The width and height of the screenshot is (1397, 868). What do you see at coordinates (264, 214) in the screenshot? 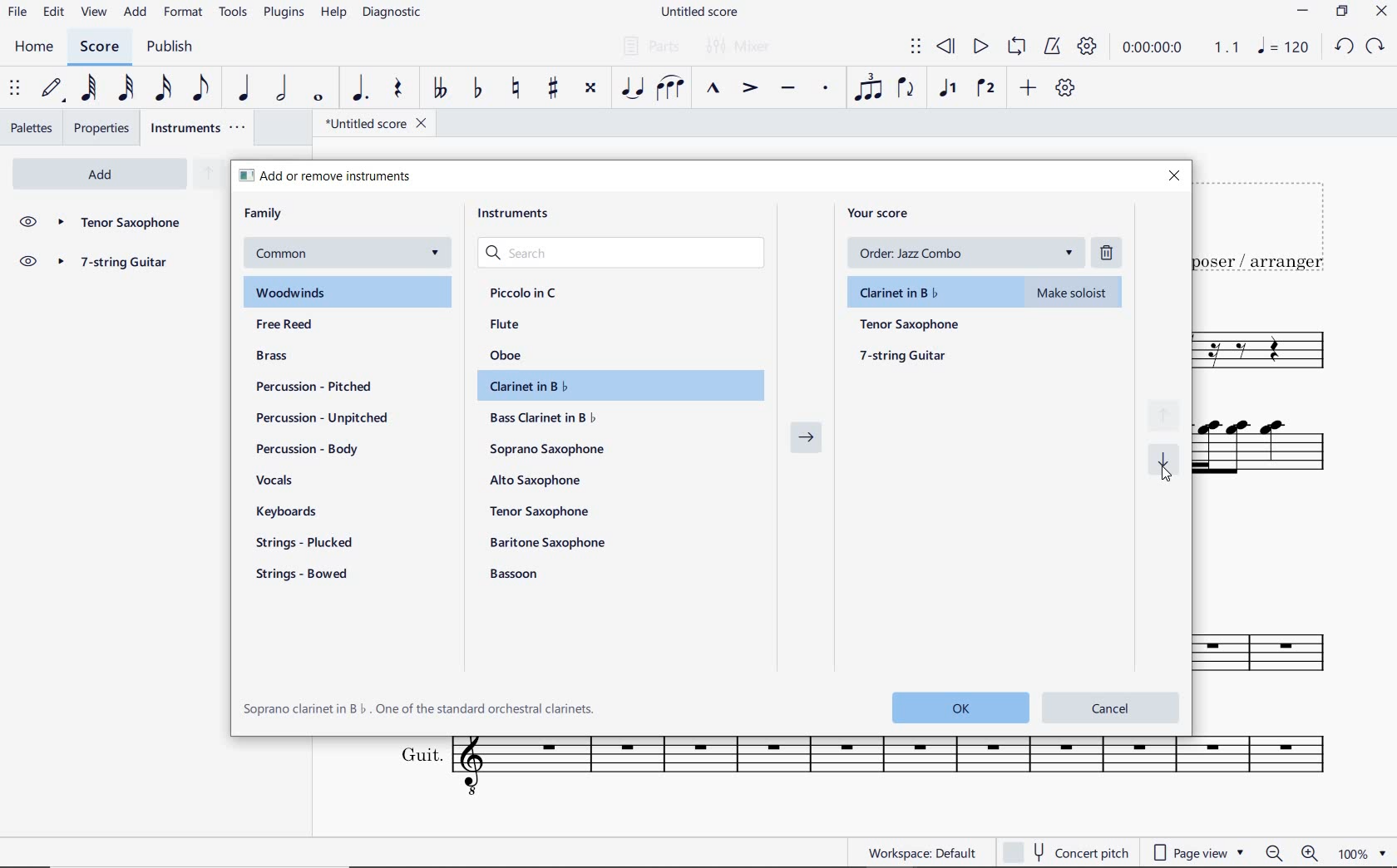
I see `family` at bounding box center [264, 214].